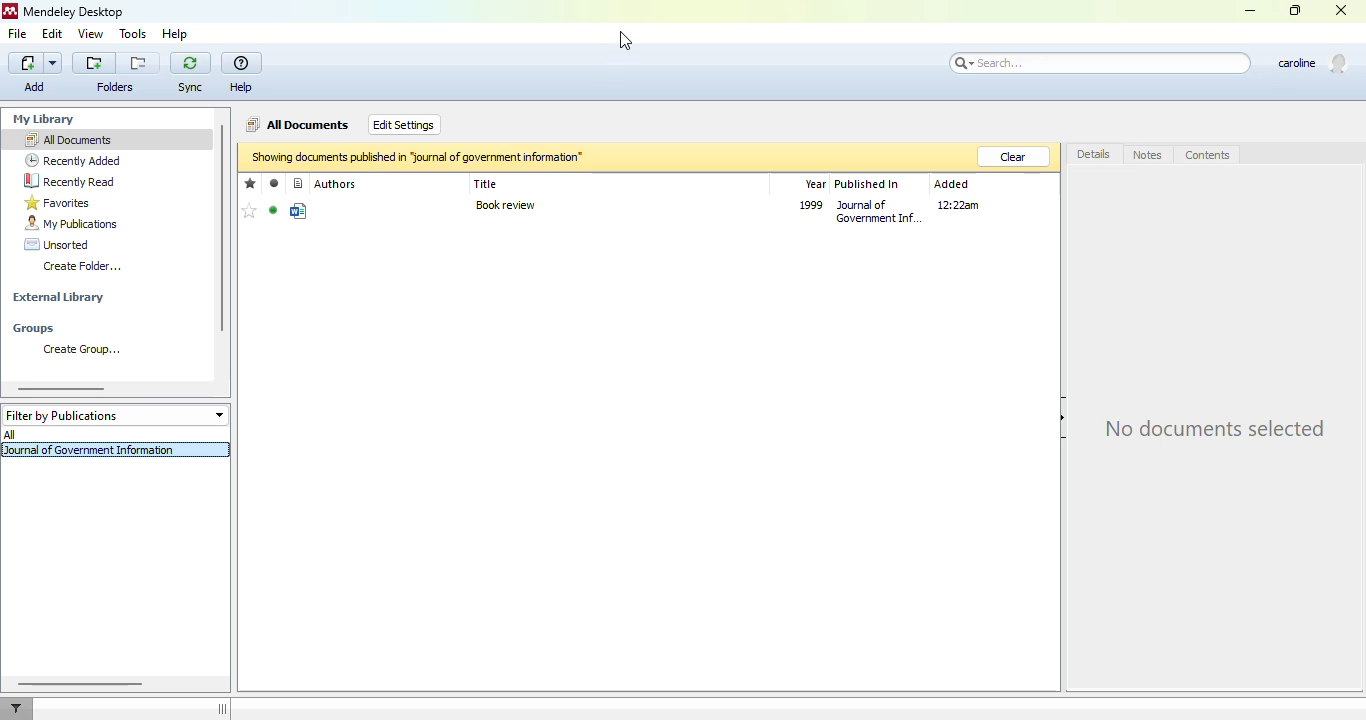  What do you see at coordinates (1015, 157) in the screenshot?
I see `clear` at bounding box center [1015, 157].